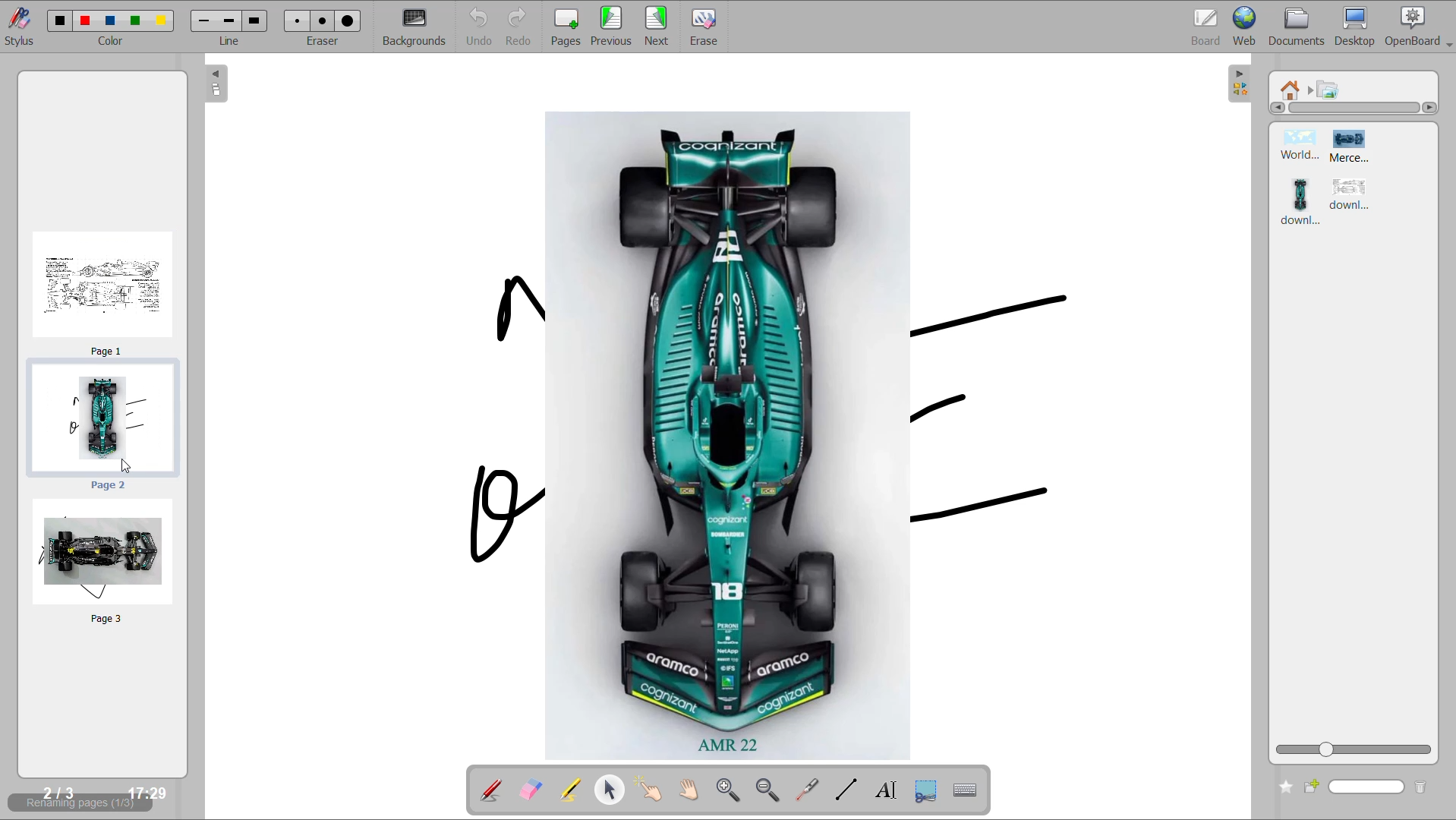 The width and height of the screenshot is (1456, 820). What do you see at coordinates (928, 790) in the screenshot?
I see `capture part of the screen` at bounding box center [928, 790].